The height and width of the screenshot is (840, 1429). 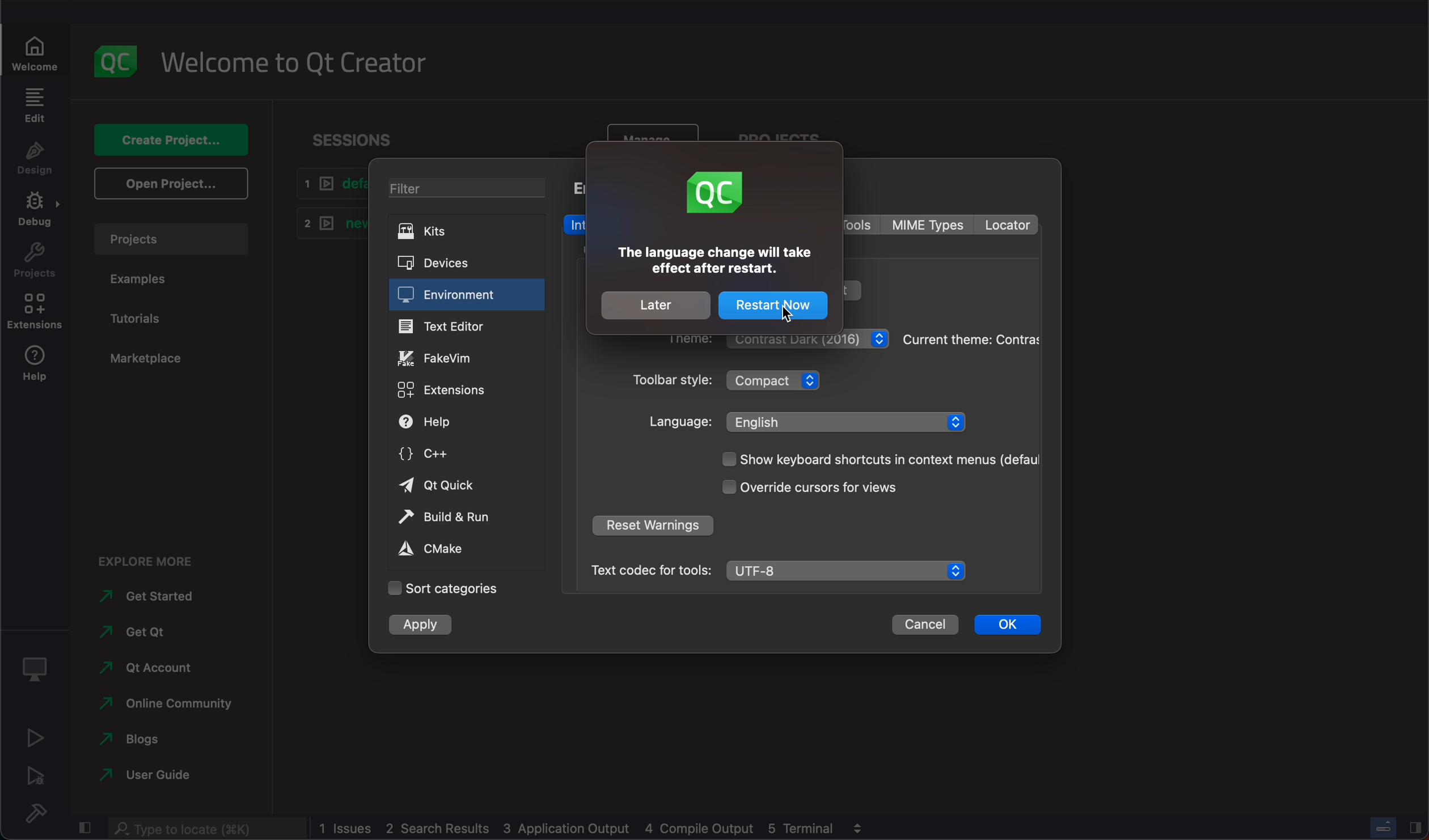 I want to click on close slidebar, so click(x=1415, y=828).